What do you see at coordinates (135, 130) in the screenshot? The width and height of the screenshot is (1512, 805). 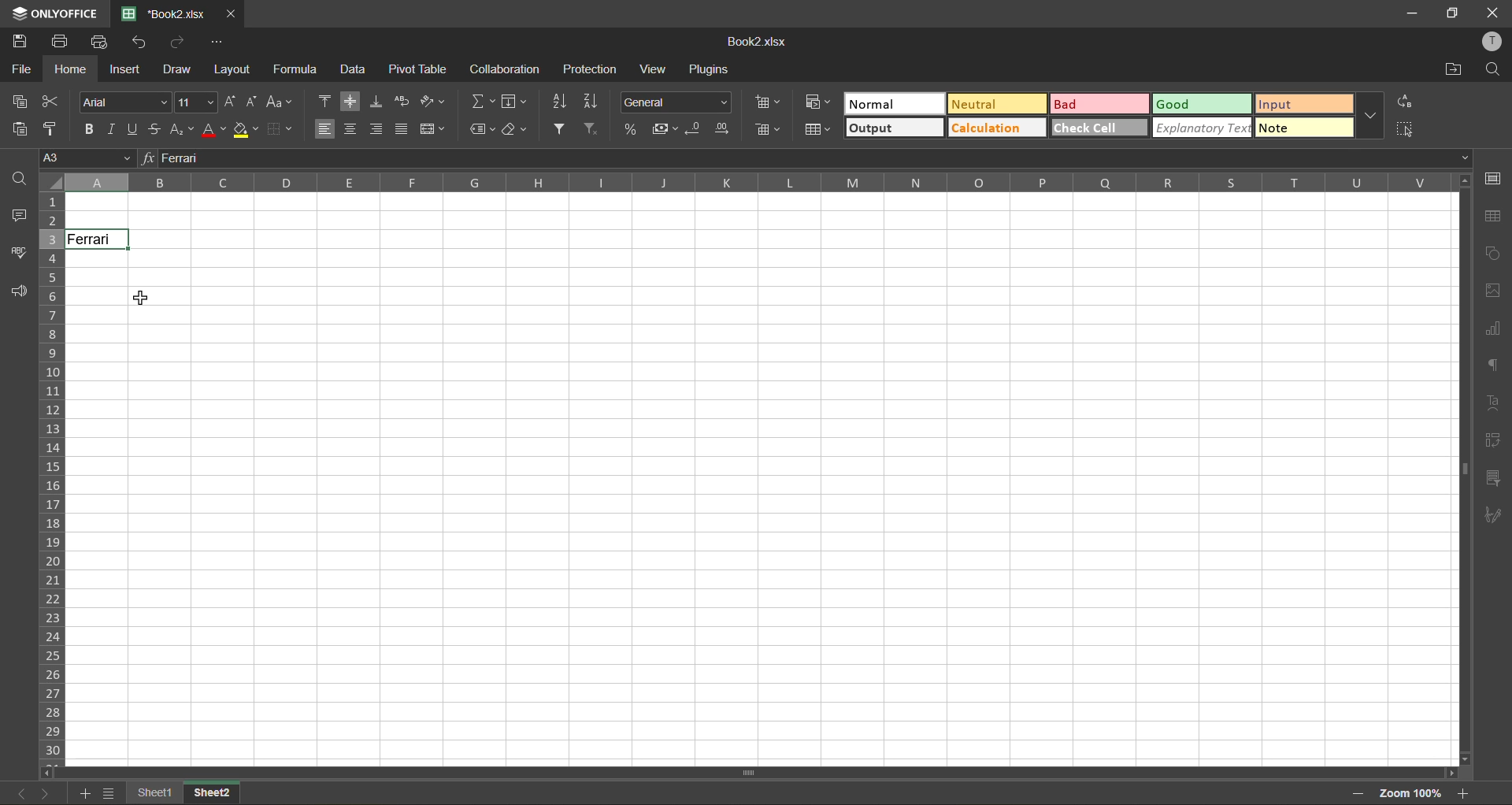 I see `underline` at bounding box center [135, 130].